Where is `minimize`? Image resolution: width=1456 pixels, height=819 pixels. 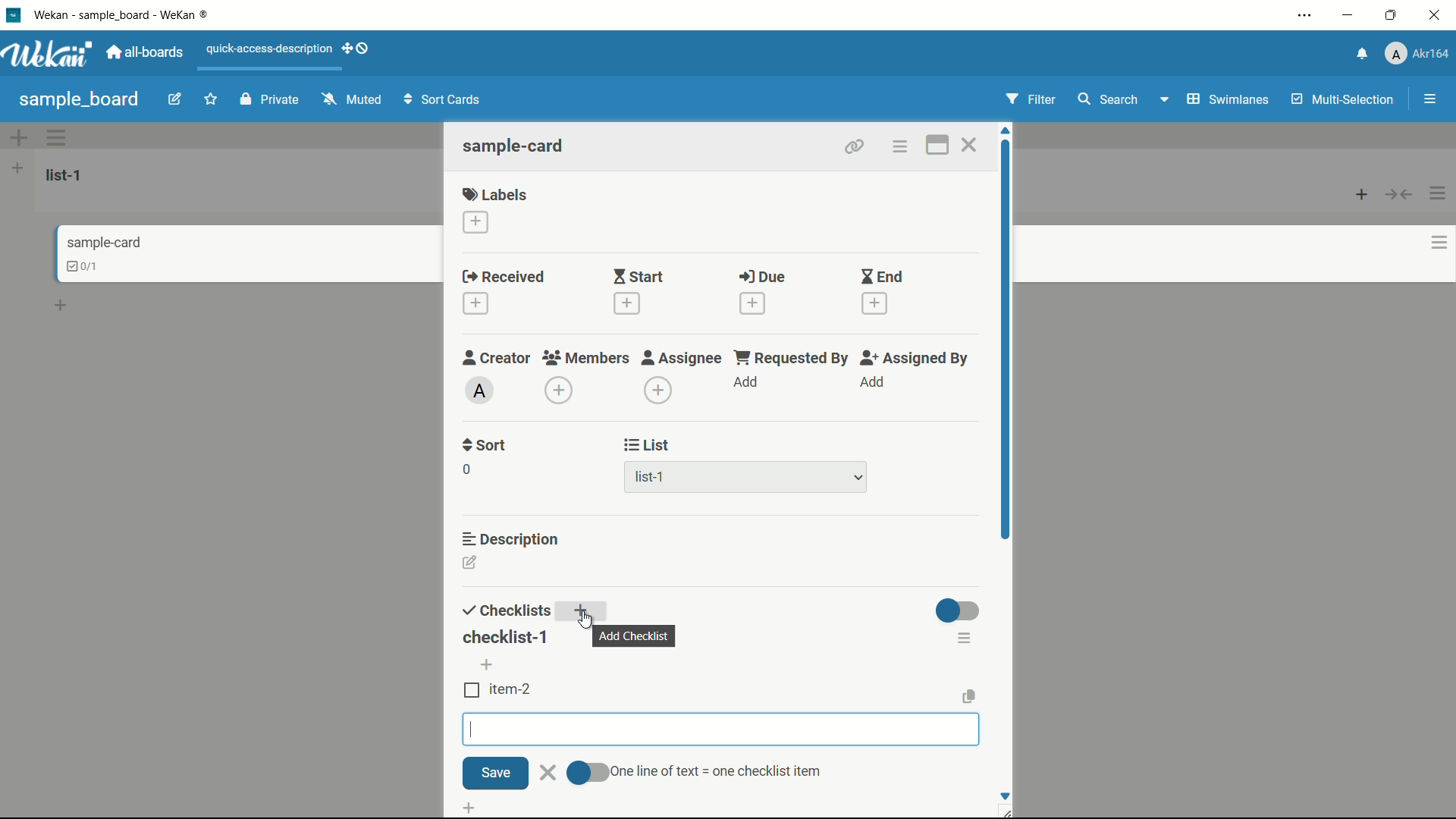
minimize is located at coordinates (1346, 16).